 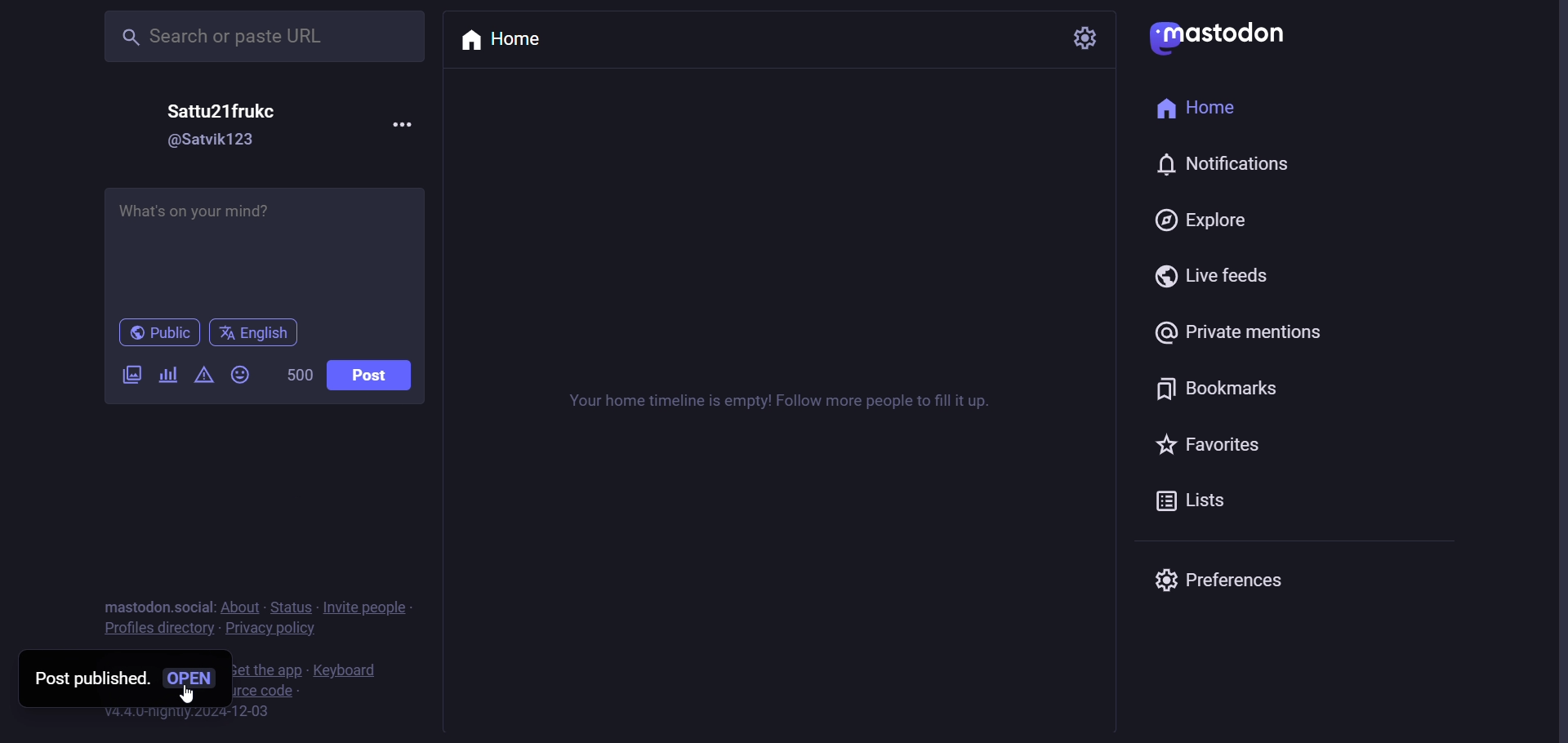 What do you see at coordinates (1206, 276) in the screenshot?
I see `live feeds` at bounding box center [1206, 276].